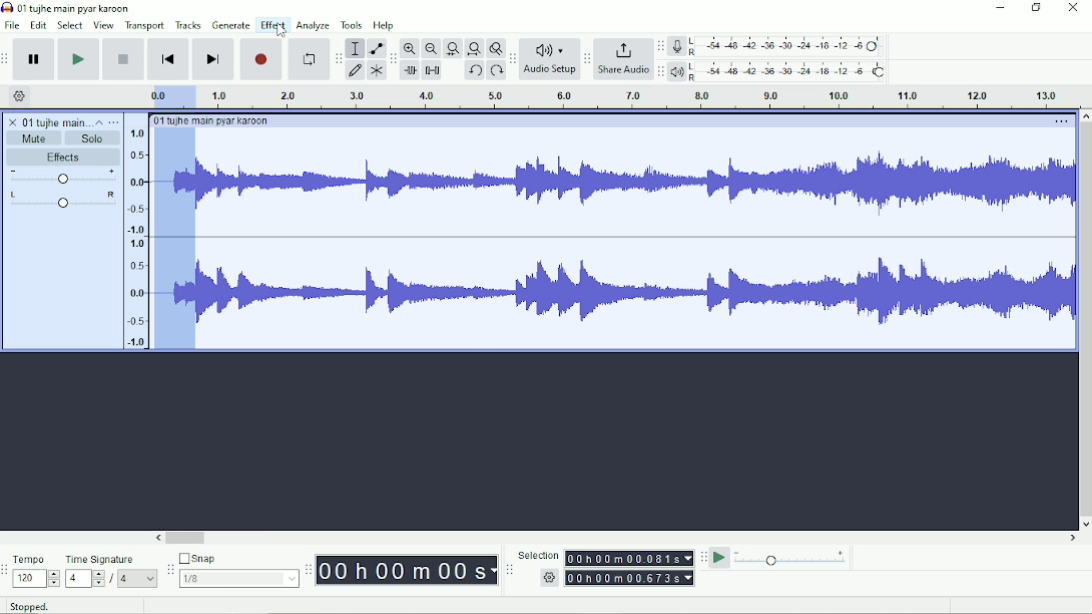 This screenshot has height=614, width=1092. I want to click on Tracks, so click(189, 24).